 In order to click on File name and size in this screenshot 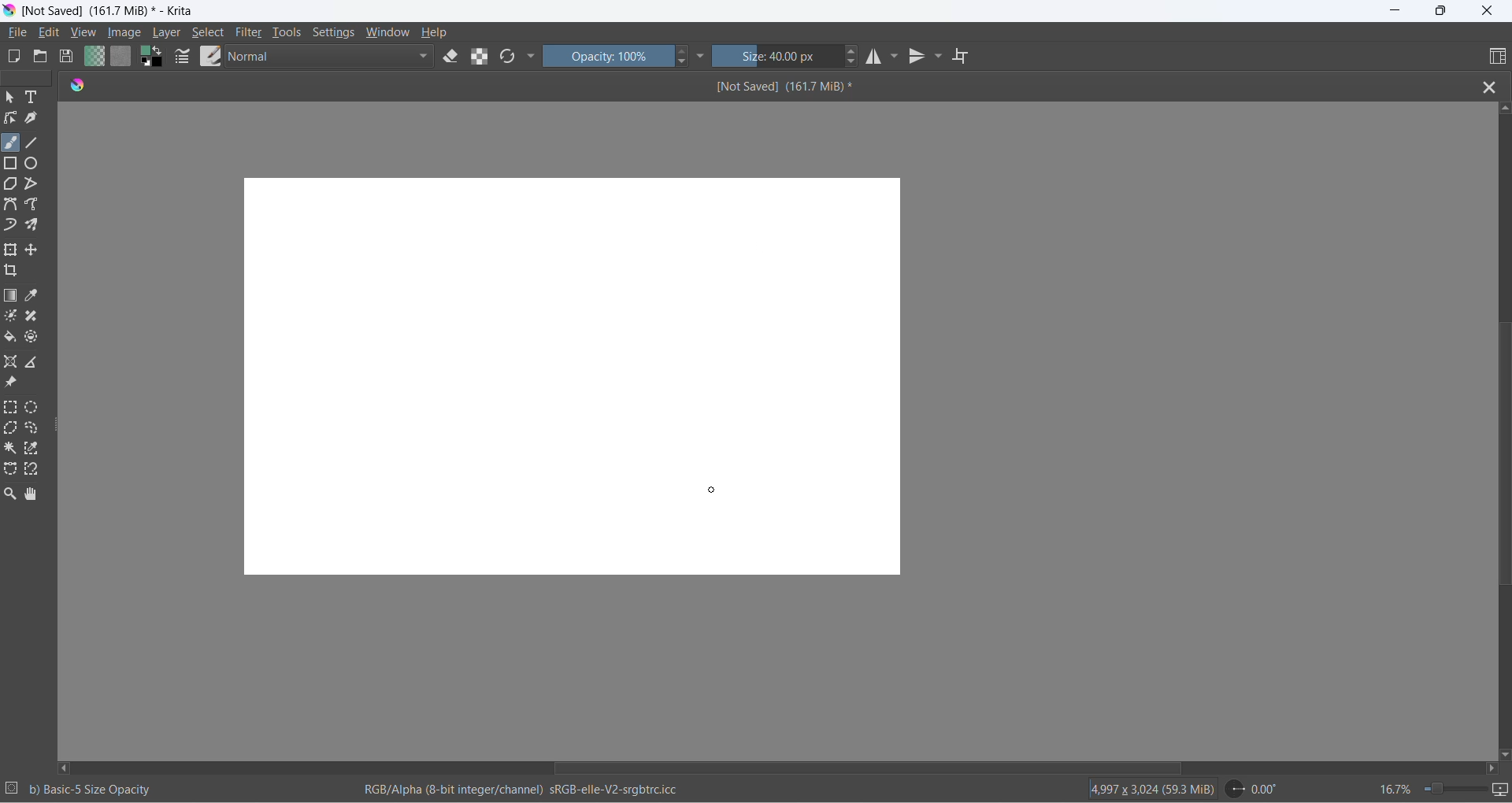, I will do `click(105, 12)`.